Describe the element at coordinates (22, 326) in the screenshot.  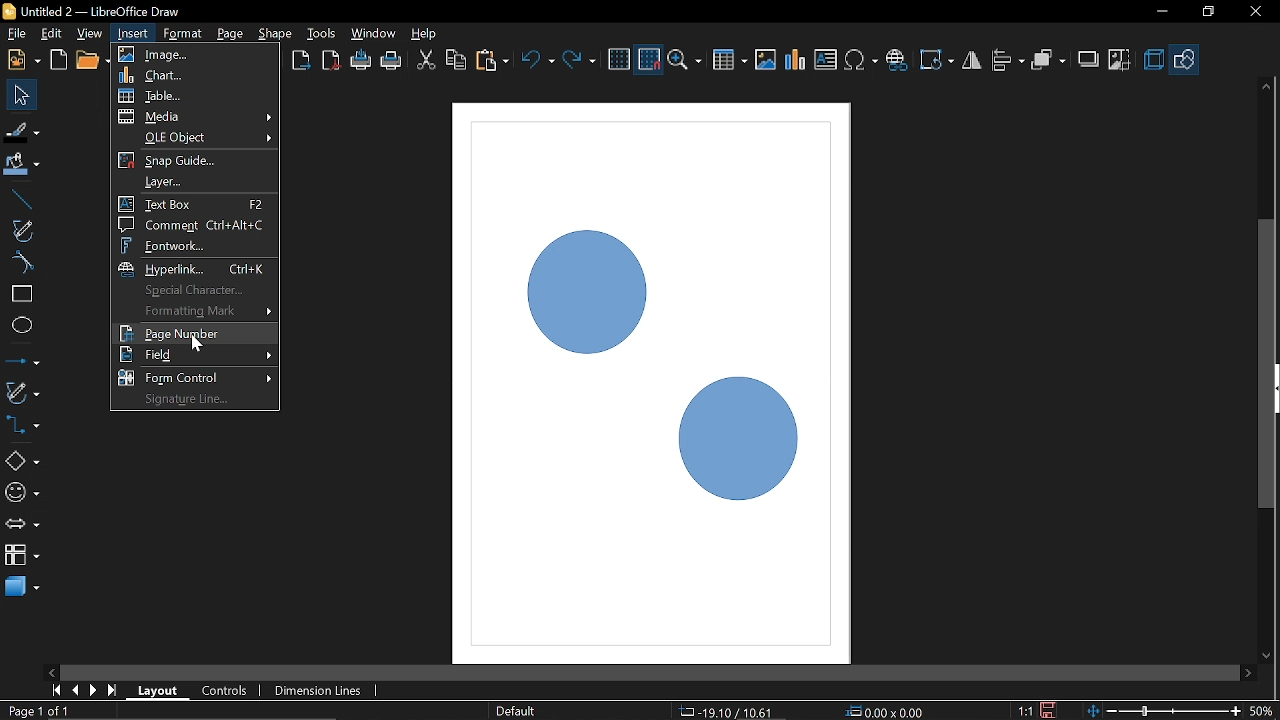
I see `Eclipse` at that location.